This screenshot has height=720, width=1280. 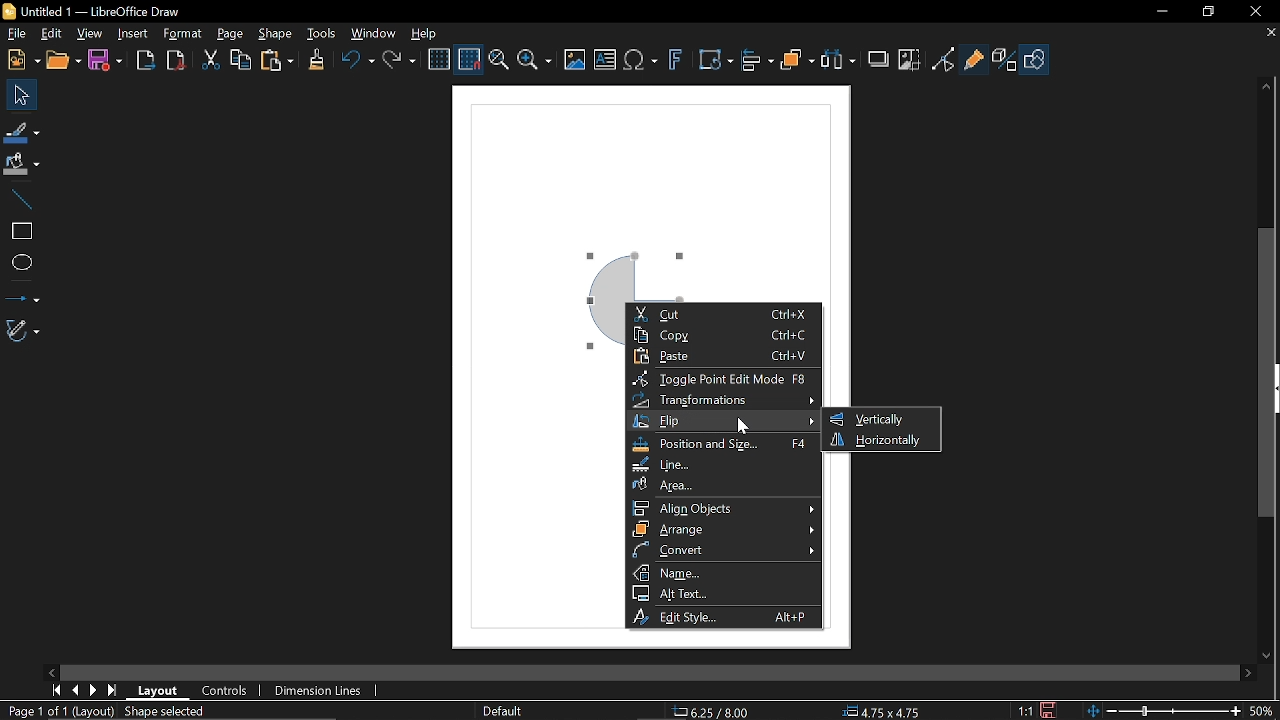 What do you see at coordinates (719, 379) in the screenshot?
I see `Toggle point edit mode   F8` at bounding box center [719, 379].